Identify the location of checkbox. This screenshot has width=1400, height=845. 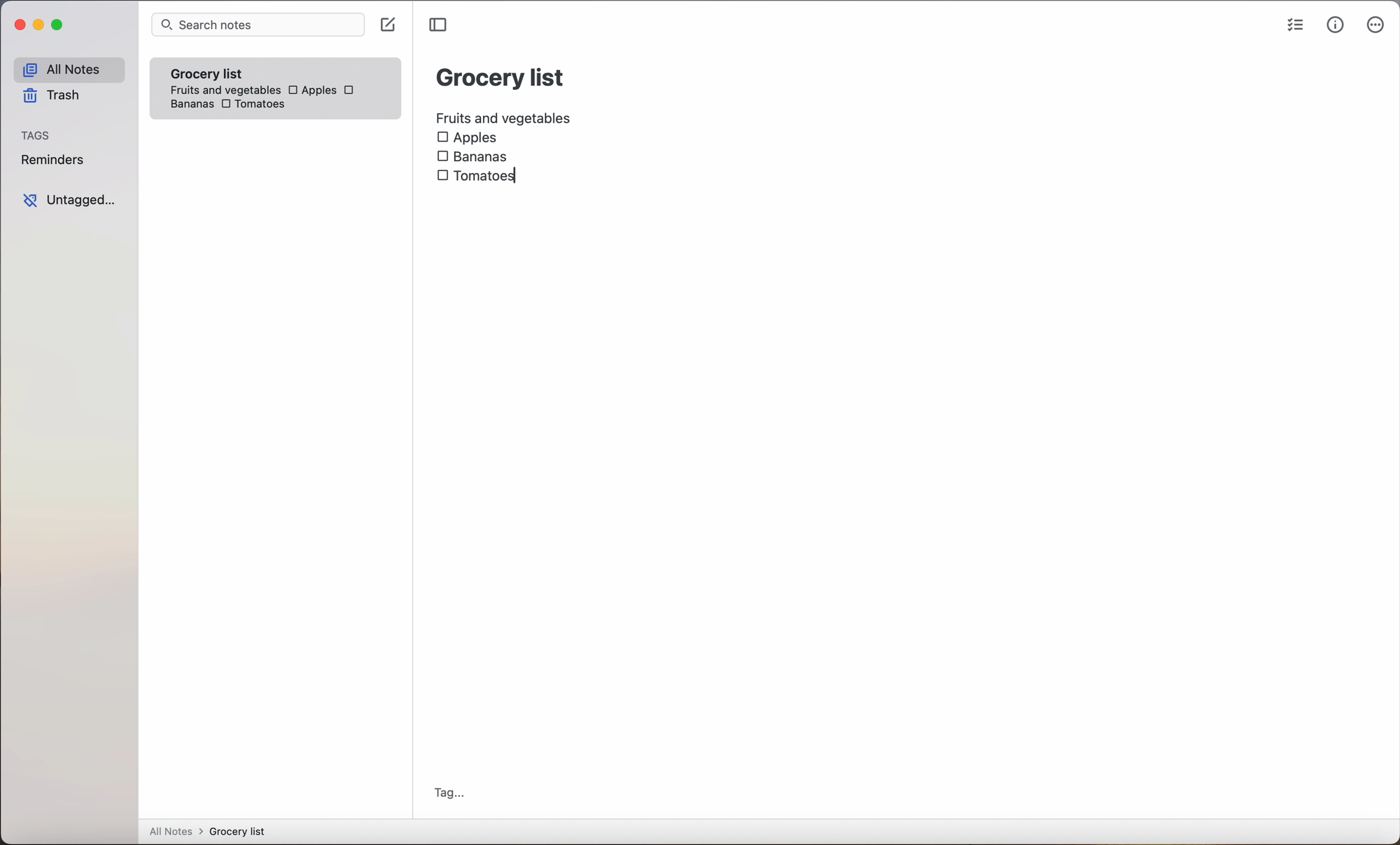
(351, 90).